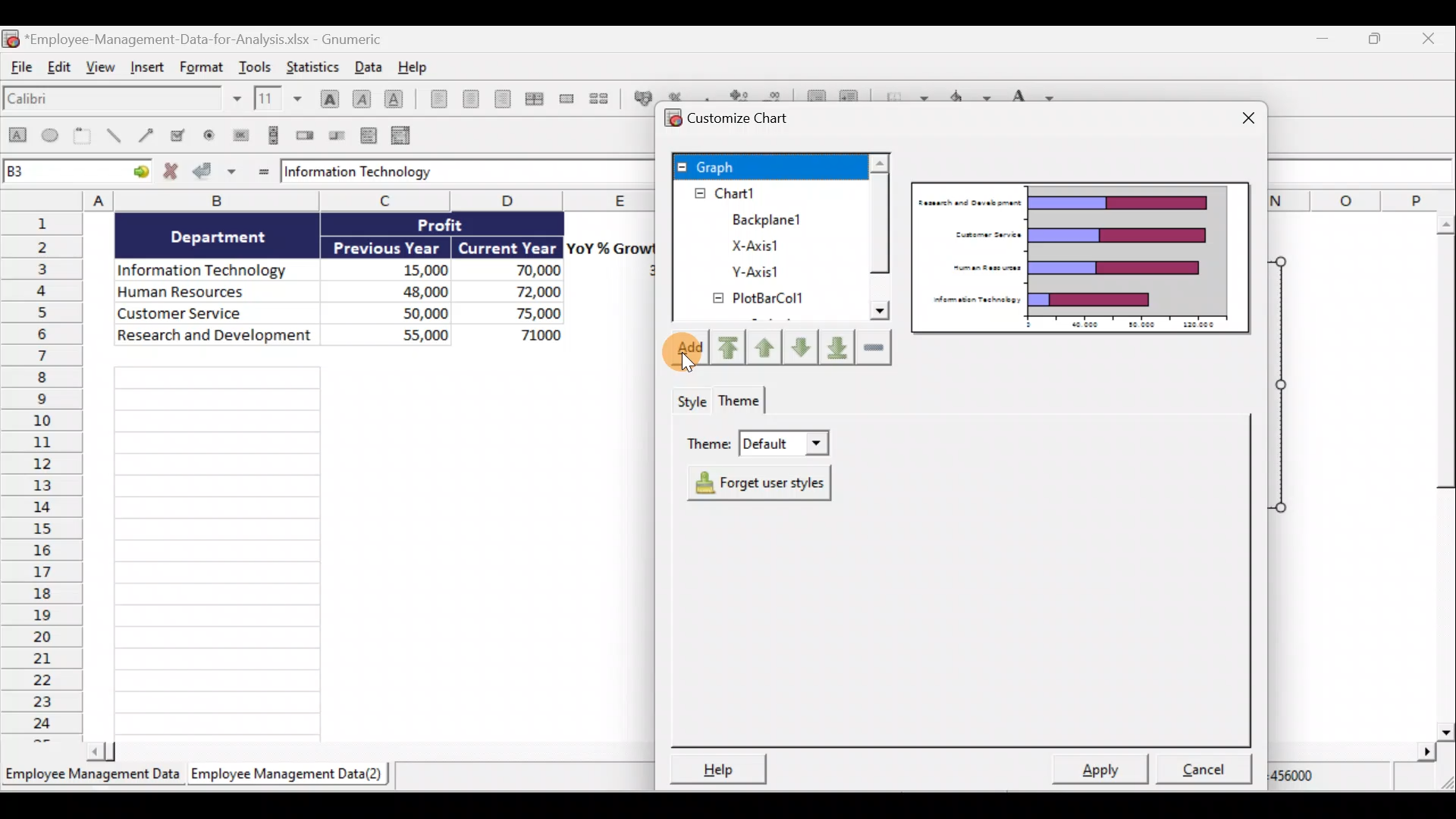 This screenshot has width=1456, height=819. I want to click on 48,000, so click(403, 290).